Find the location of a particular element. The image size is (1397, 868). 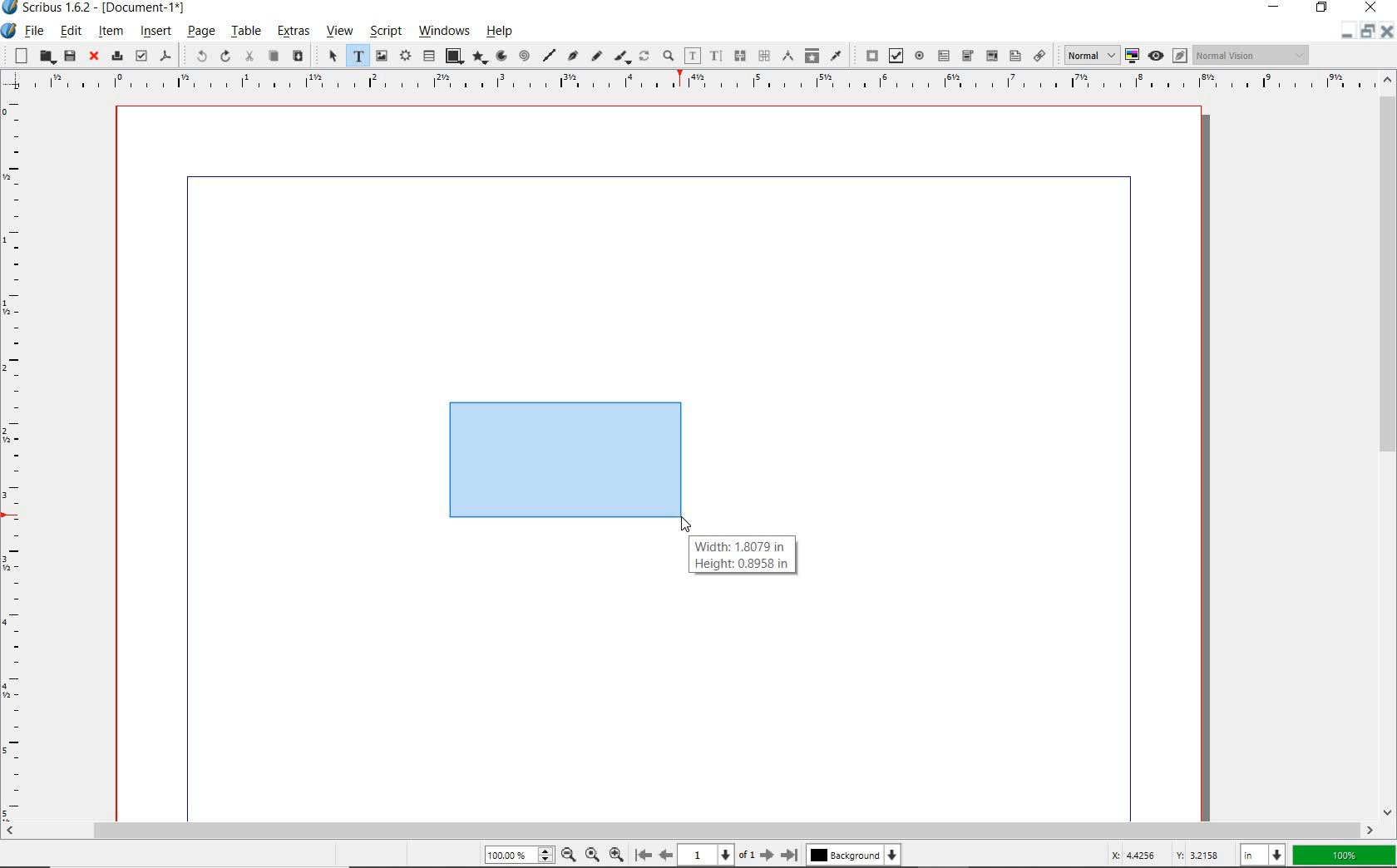

extras is located at coordinates (295, 32).